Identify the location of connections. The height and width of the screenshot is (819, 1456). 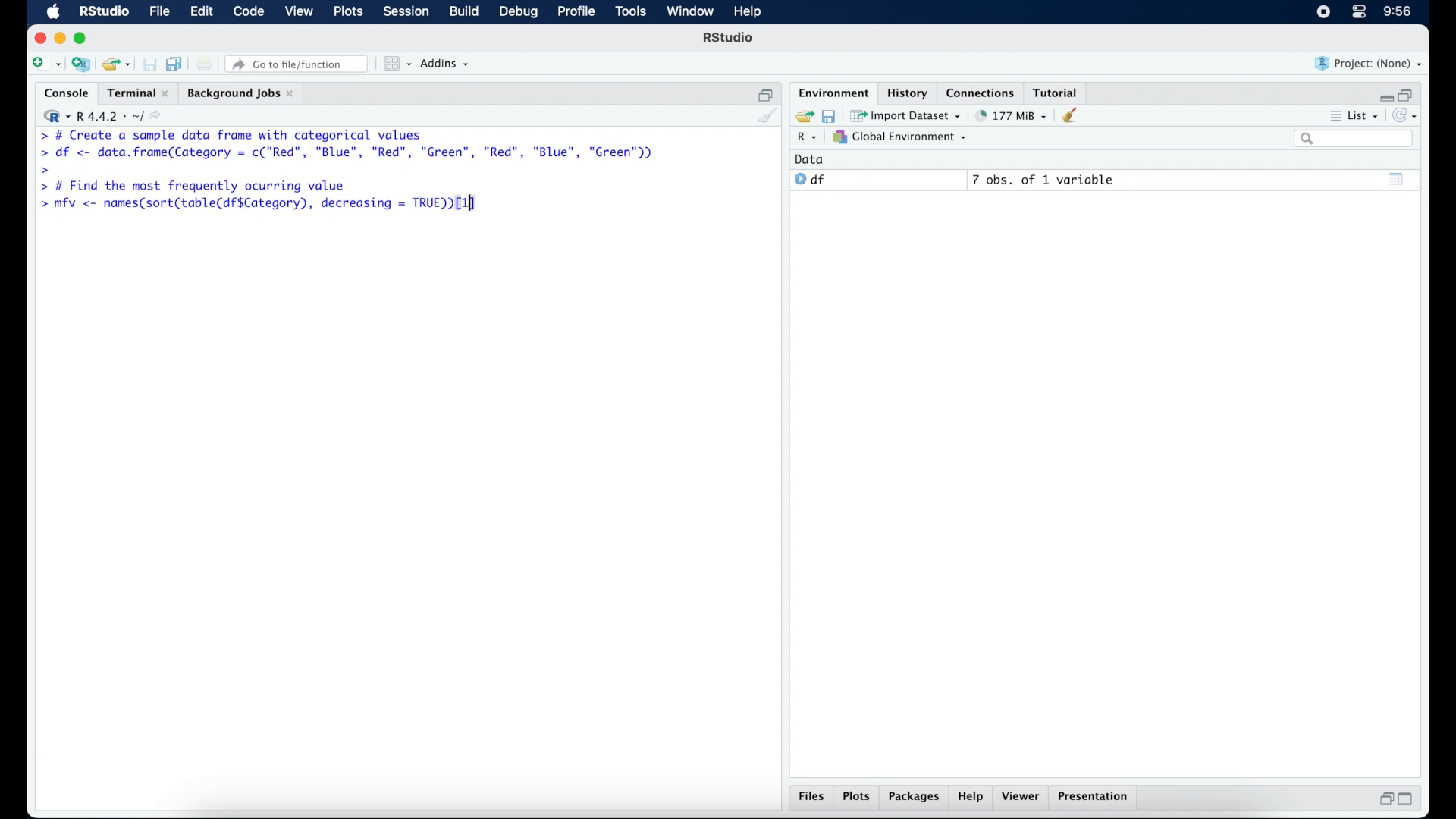
(982, 92).